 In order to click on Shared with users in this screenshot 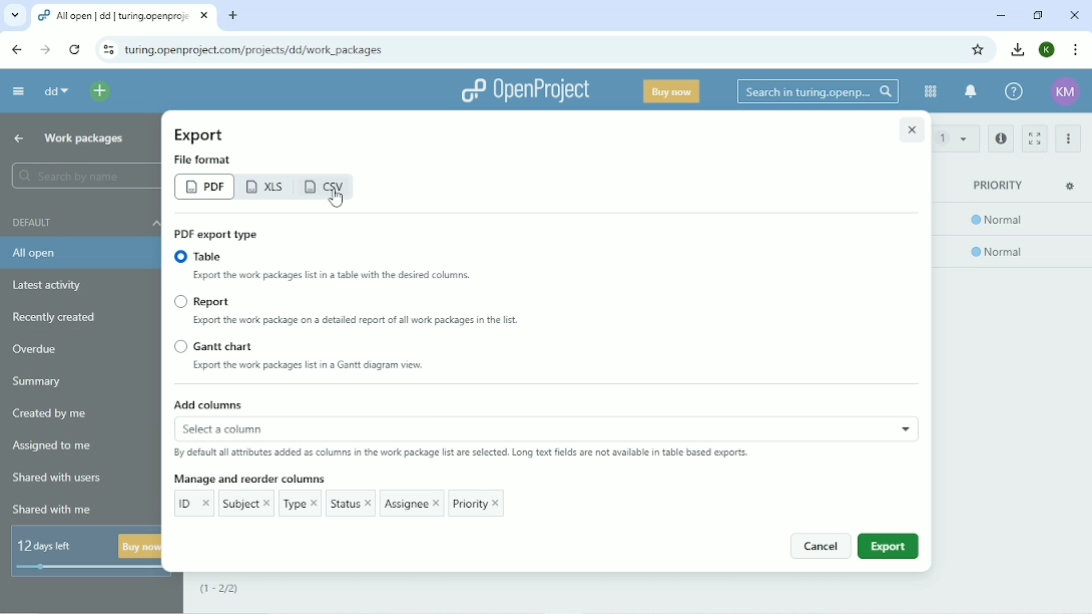, I will do `click(58, 480)`.